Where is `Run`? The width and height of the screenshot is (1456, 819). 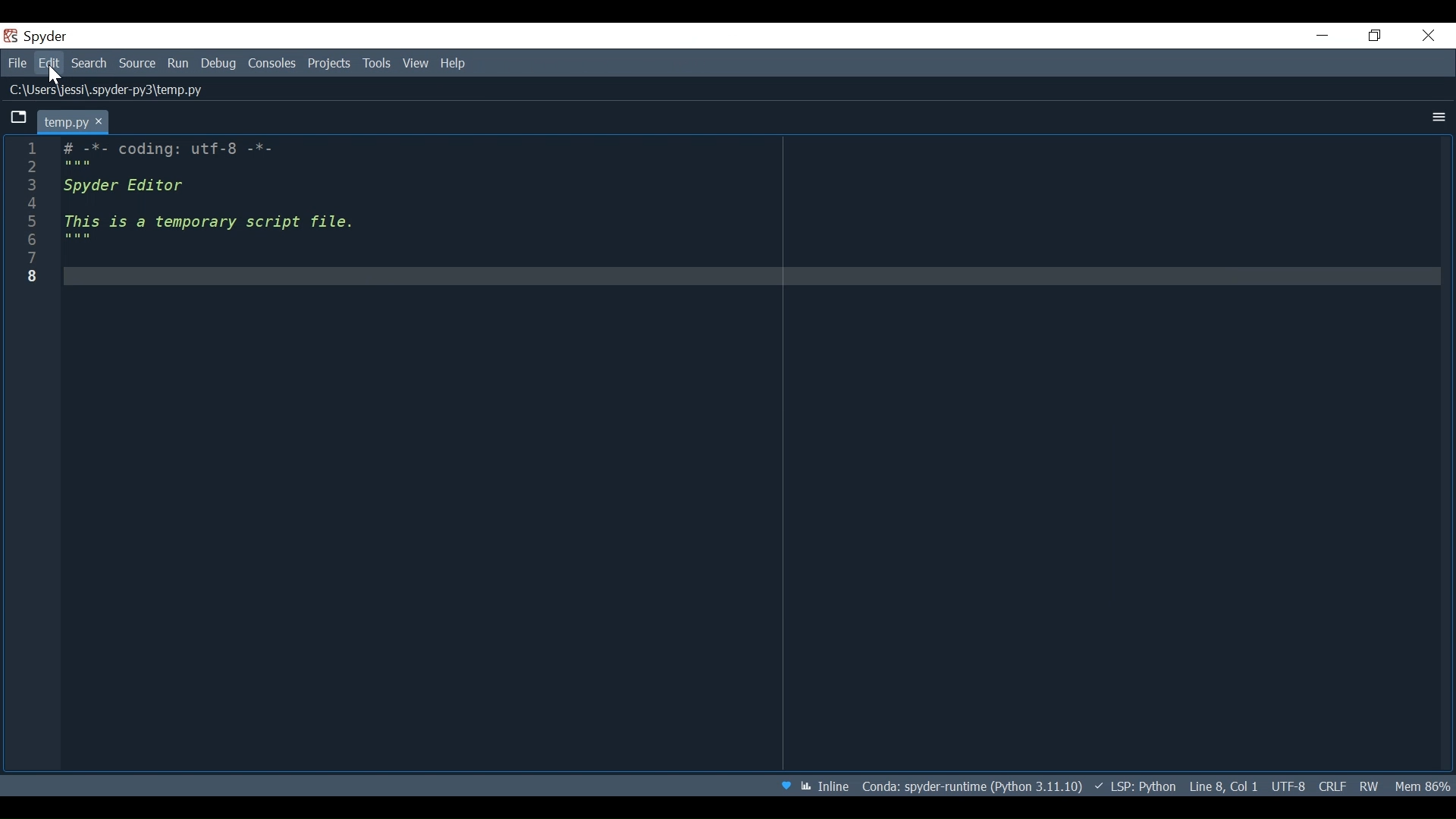
Run is located at coordinates (180, 64).